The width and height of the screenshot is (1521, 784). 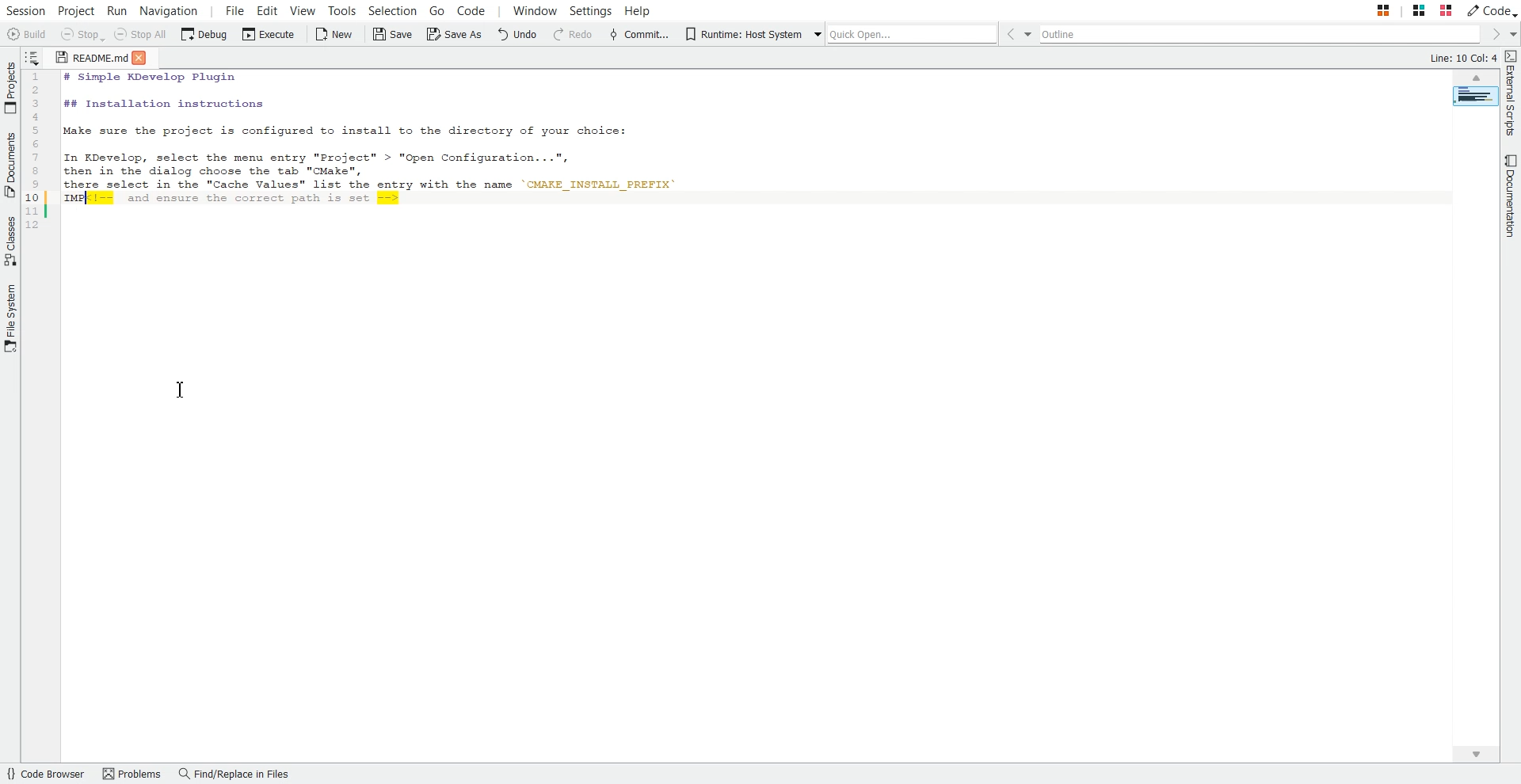 What do you see at coordinates (1511, 93) in the screenshot?
I see `External Scripts` at bounding box center [1511, 93].